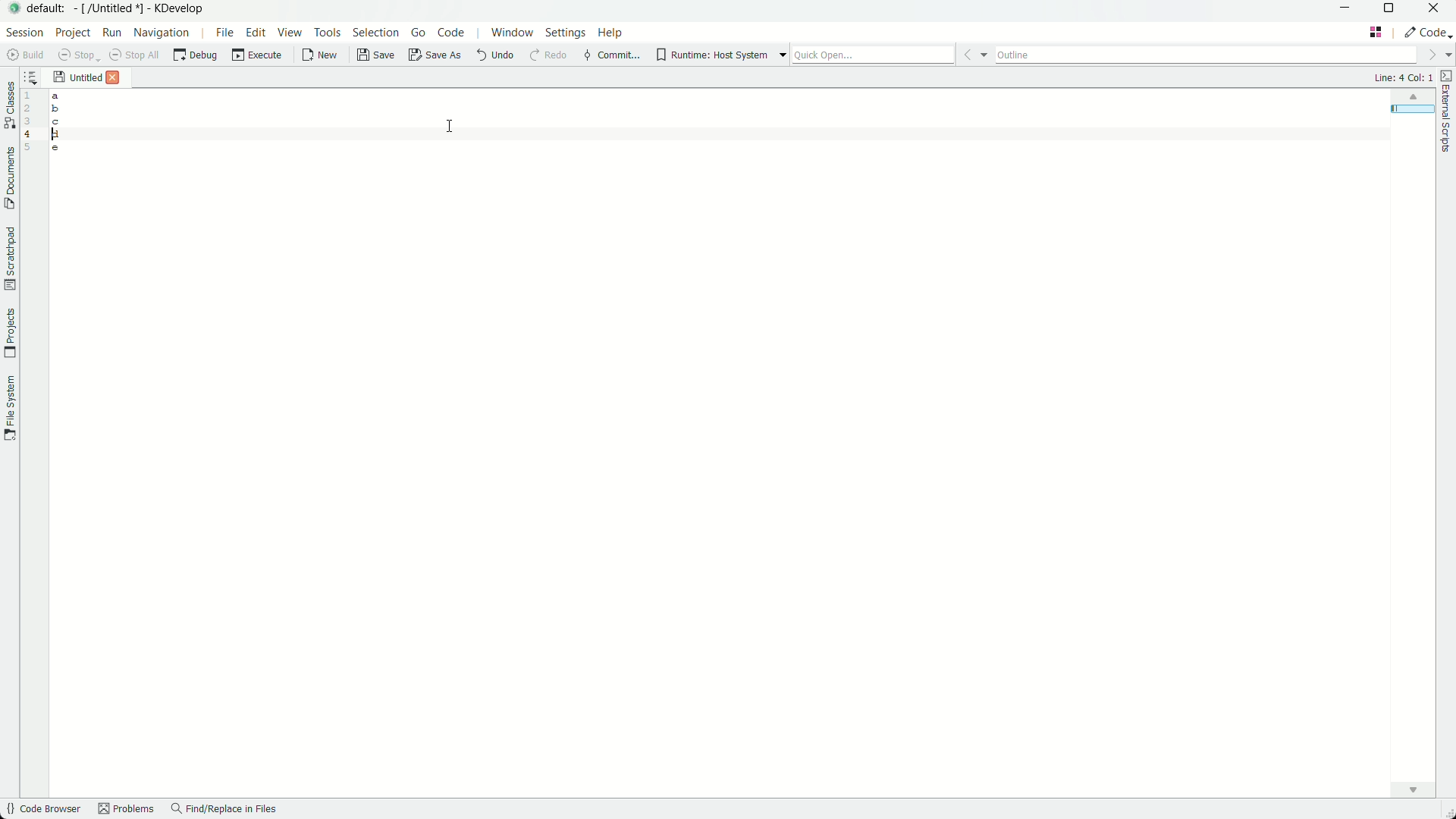 The height and width of the screenshot is (819, 1456). Describe the element at coordinates (721, 55) in the screenshot. I see `runtime host system` at that location.